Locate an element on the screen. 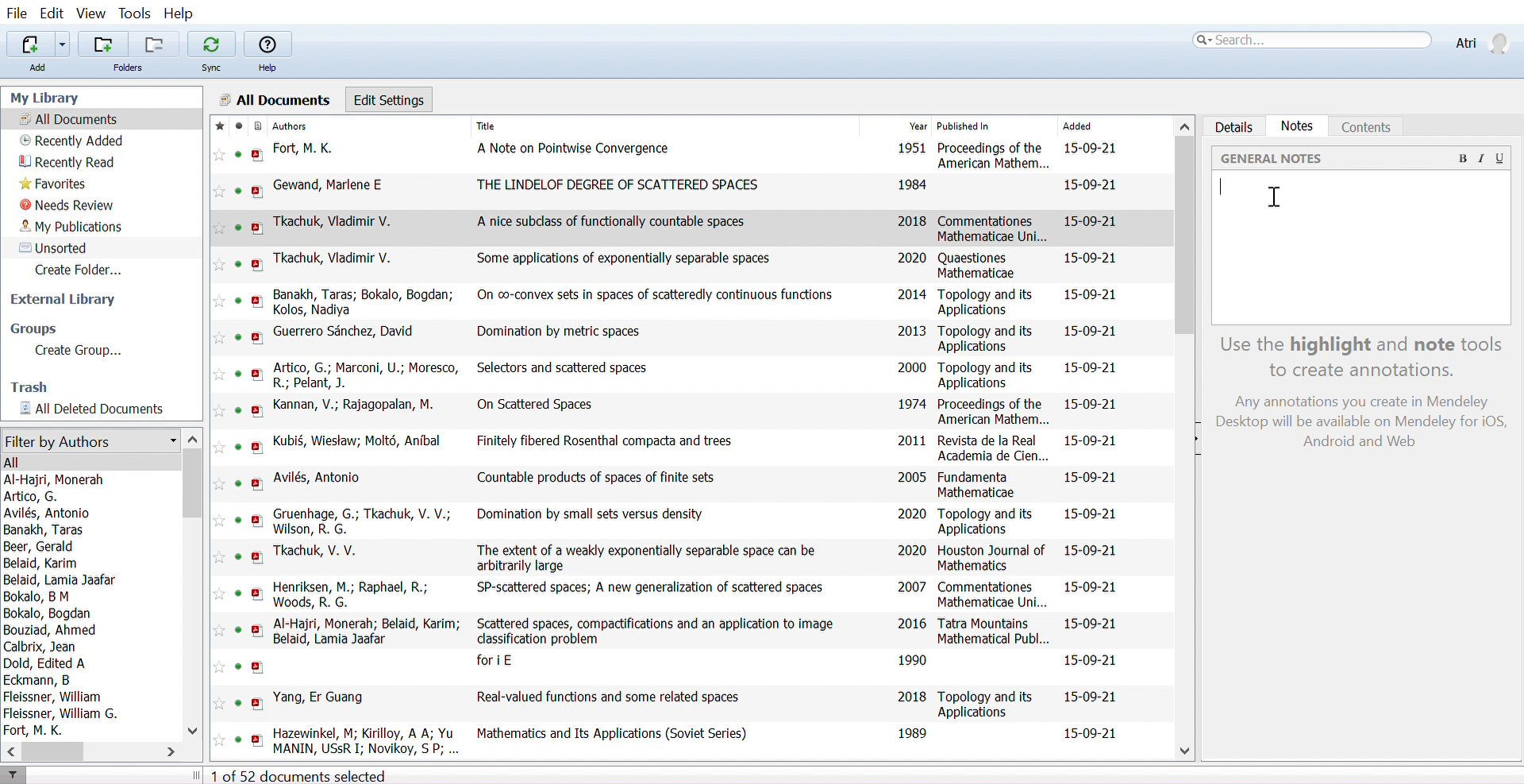 The height and width of the screenshot is (784, 1524). Revista de la Real Academia de Cien... is located at coordinates (995, 448).